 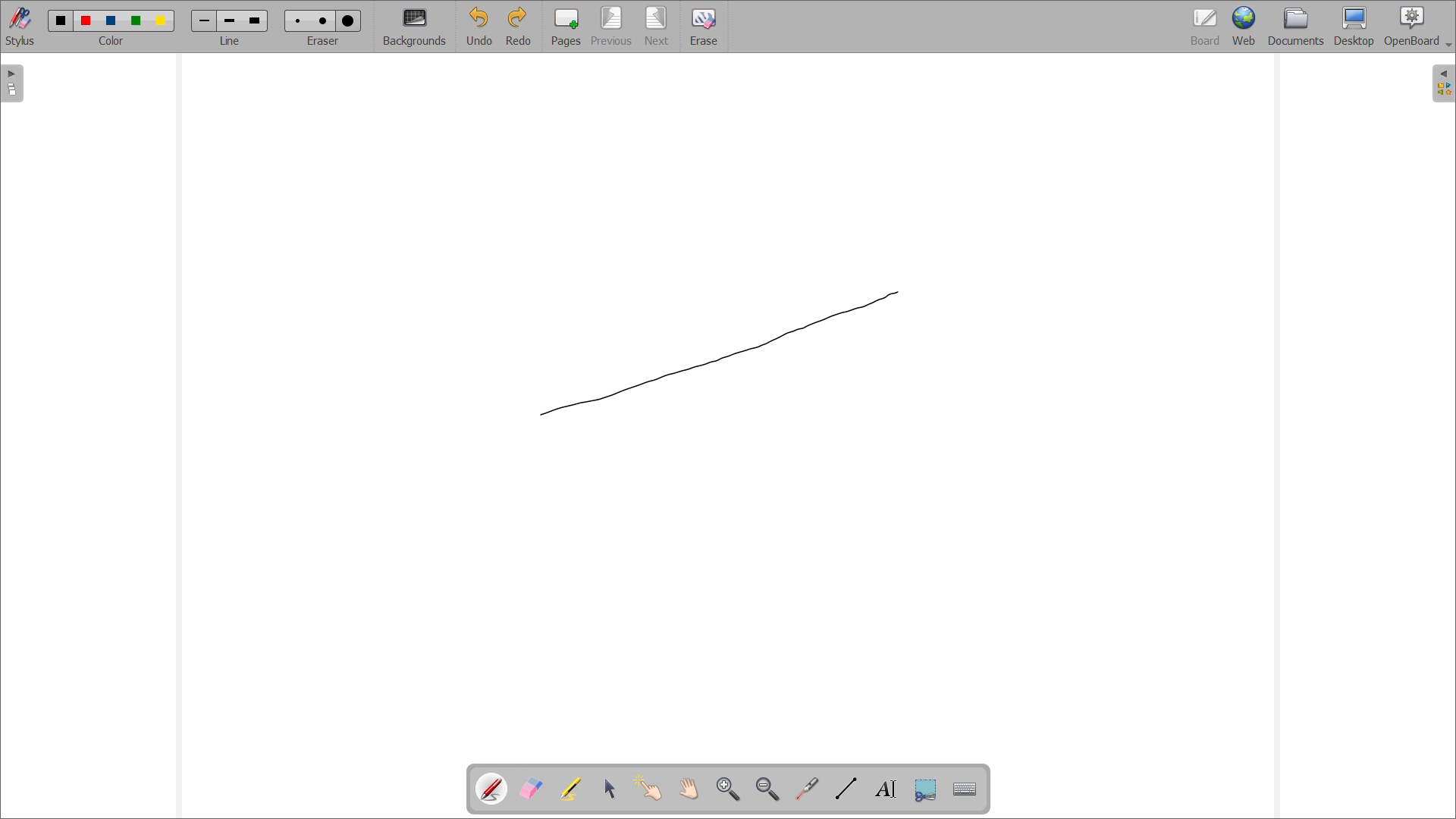 What do you see at coordinates (138, 21) in the screenshot?
I see `color` at bounding box center [138, 21].